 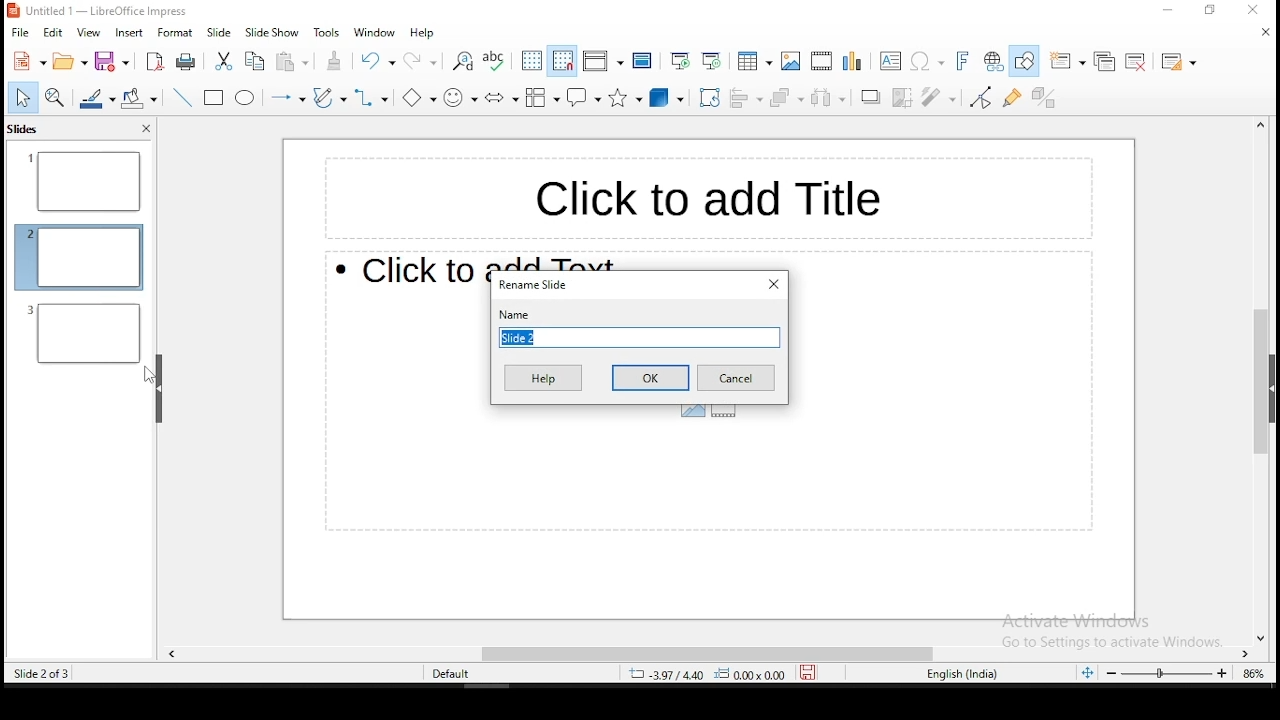 I want to click on slide show, so click(x=272, y=34).